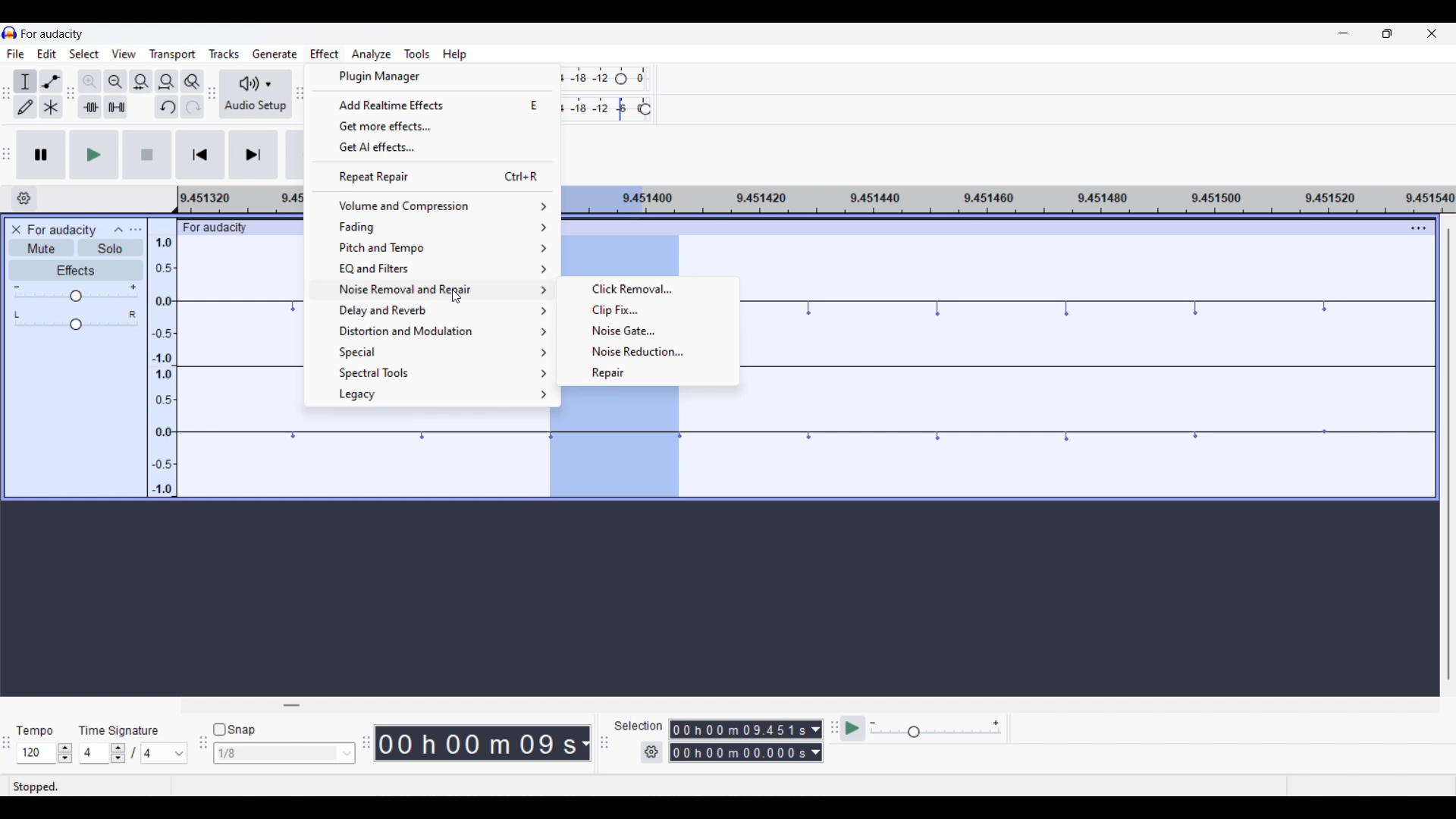  Describe the element at coordinates (475, 743) in the screenshot. I see `Current duration of playhead` at that location.